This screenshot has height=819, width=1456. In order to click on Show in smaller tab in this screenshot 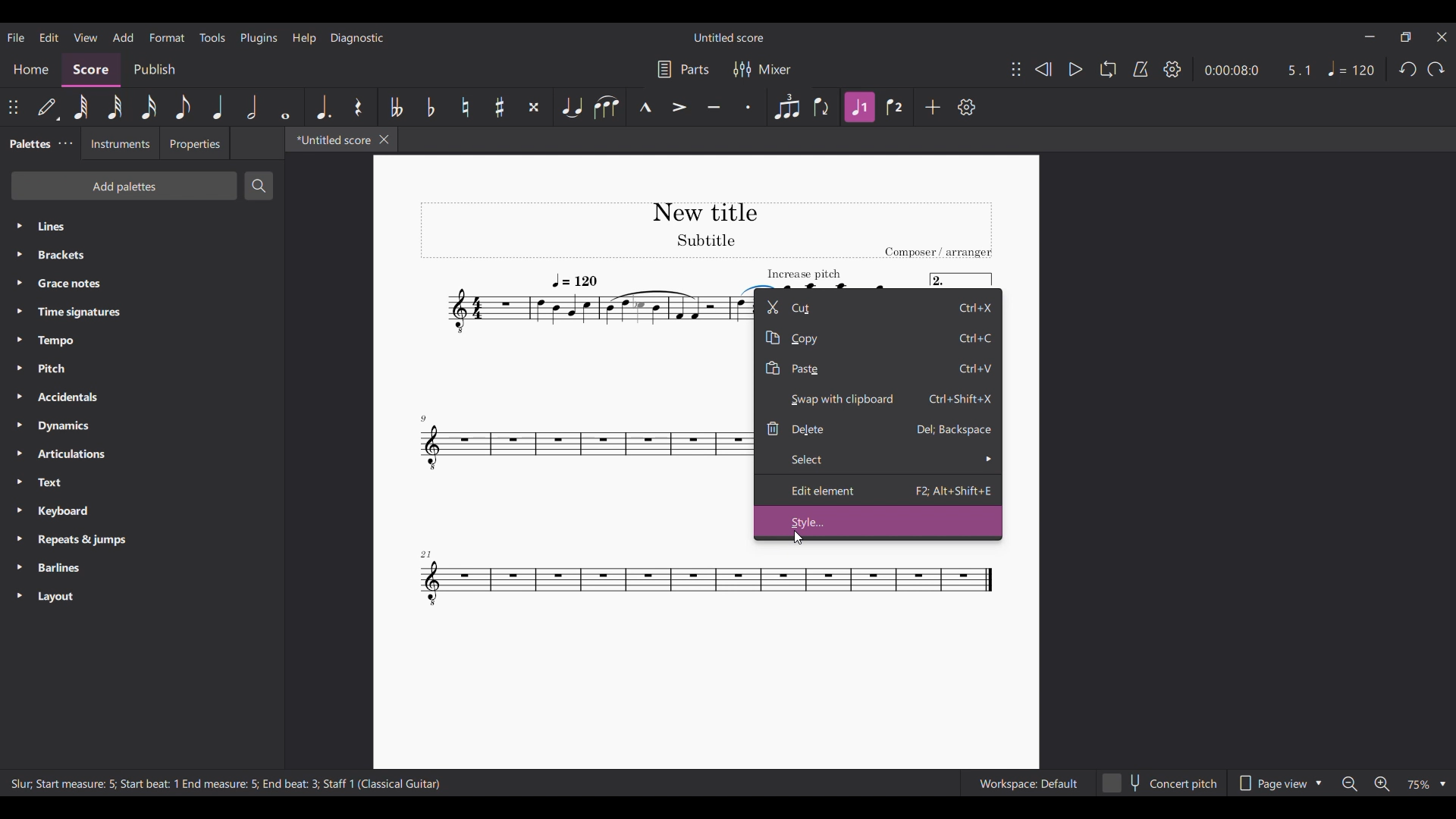, I will do `click(1406, 37)`.